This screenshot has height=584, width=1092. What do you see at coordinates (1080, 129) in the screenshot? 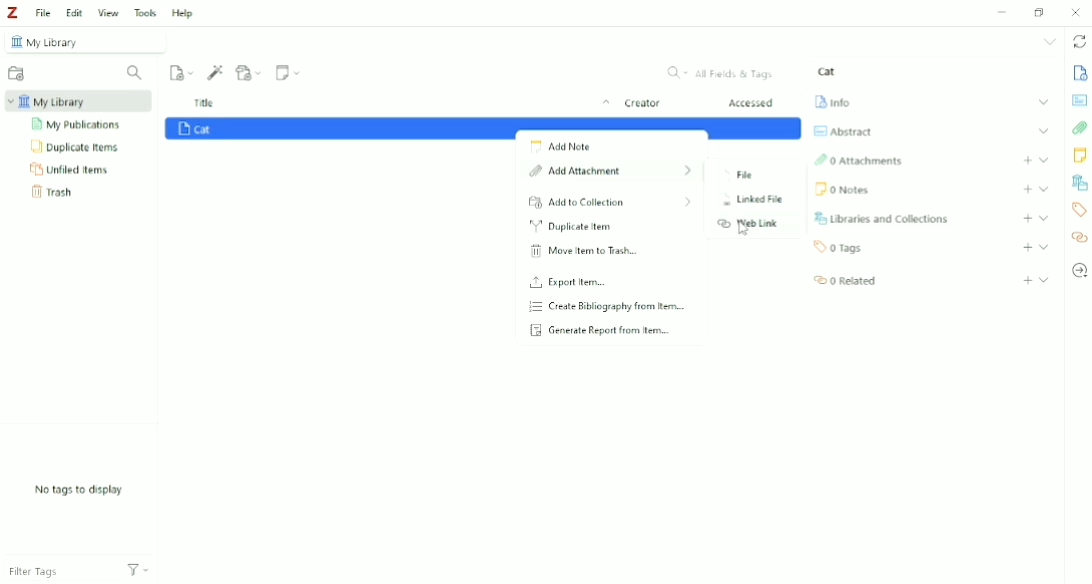
I see `Attachments` at bounding box center [1080, 129].